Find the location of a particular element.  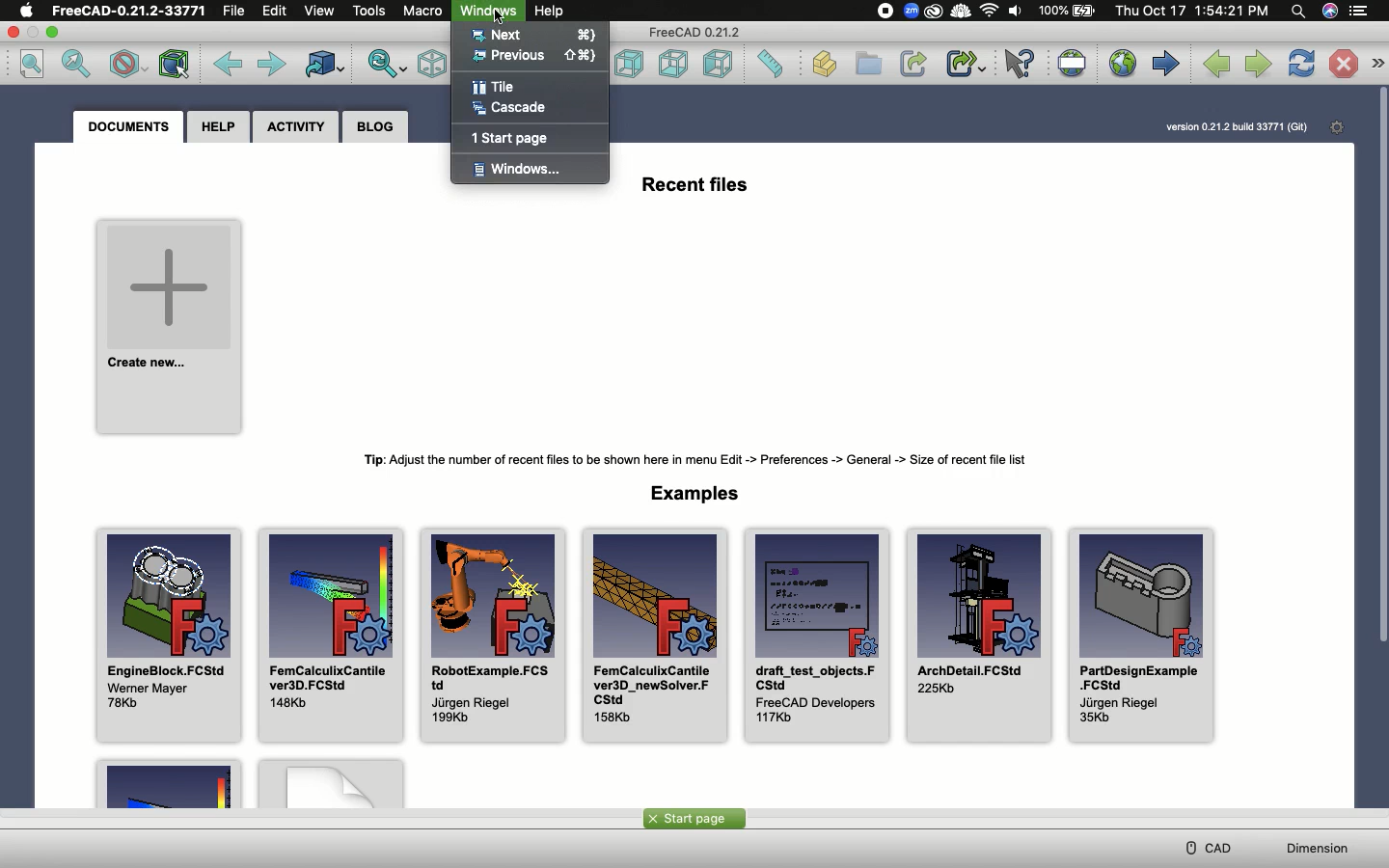

FemCalculixCantilever3D_newSolver.FCStd is located at coordinates (656, 636).